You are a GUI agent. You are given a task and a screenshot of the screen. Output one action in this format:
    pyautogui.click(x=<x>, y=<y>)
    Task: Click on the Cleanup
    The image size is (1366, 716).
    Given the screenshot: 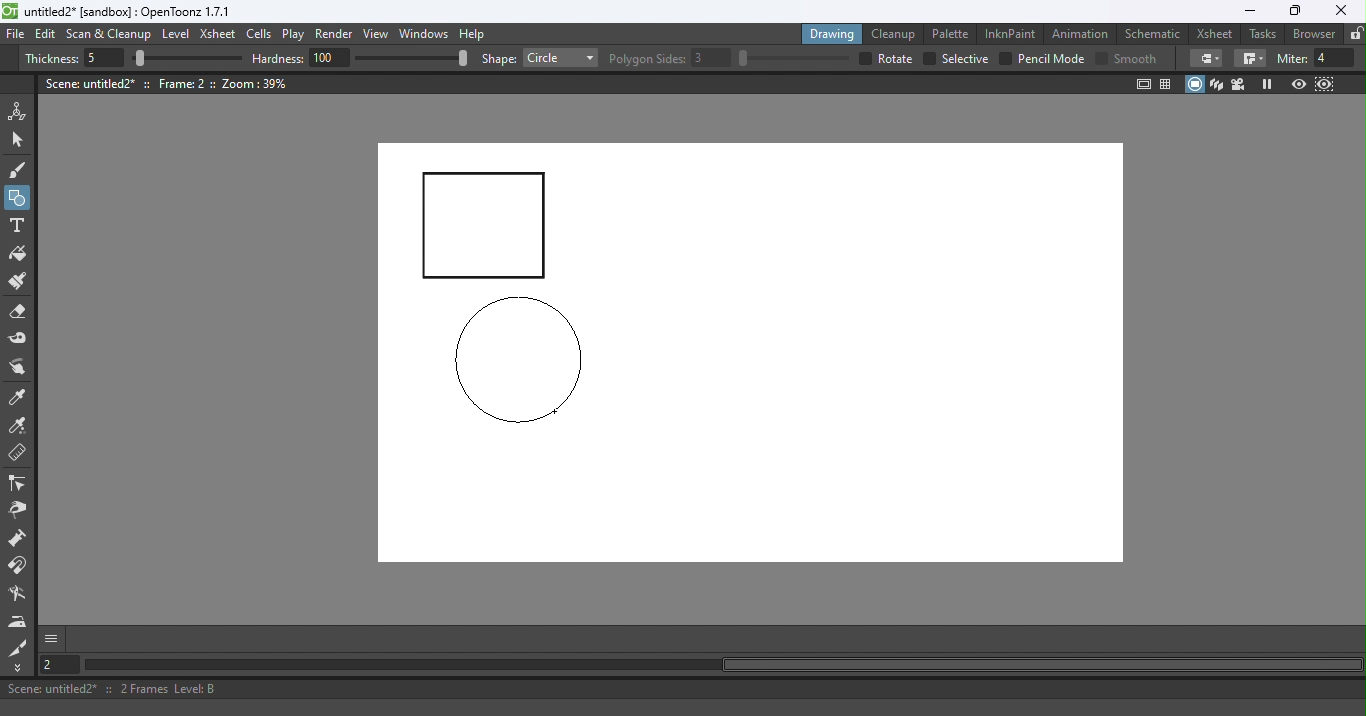 What is the action you would take?
    pyautogui.click(x=897, y=33)
    